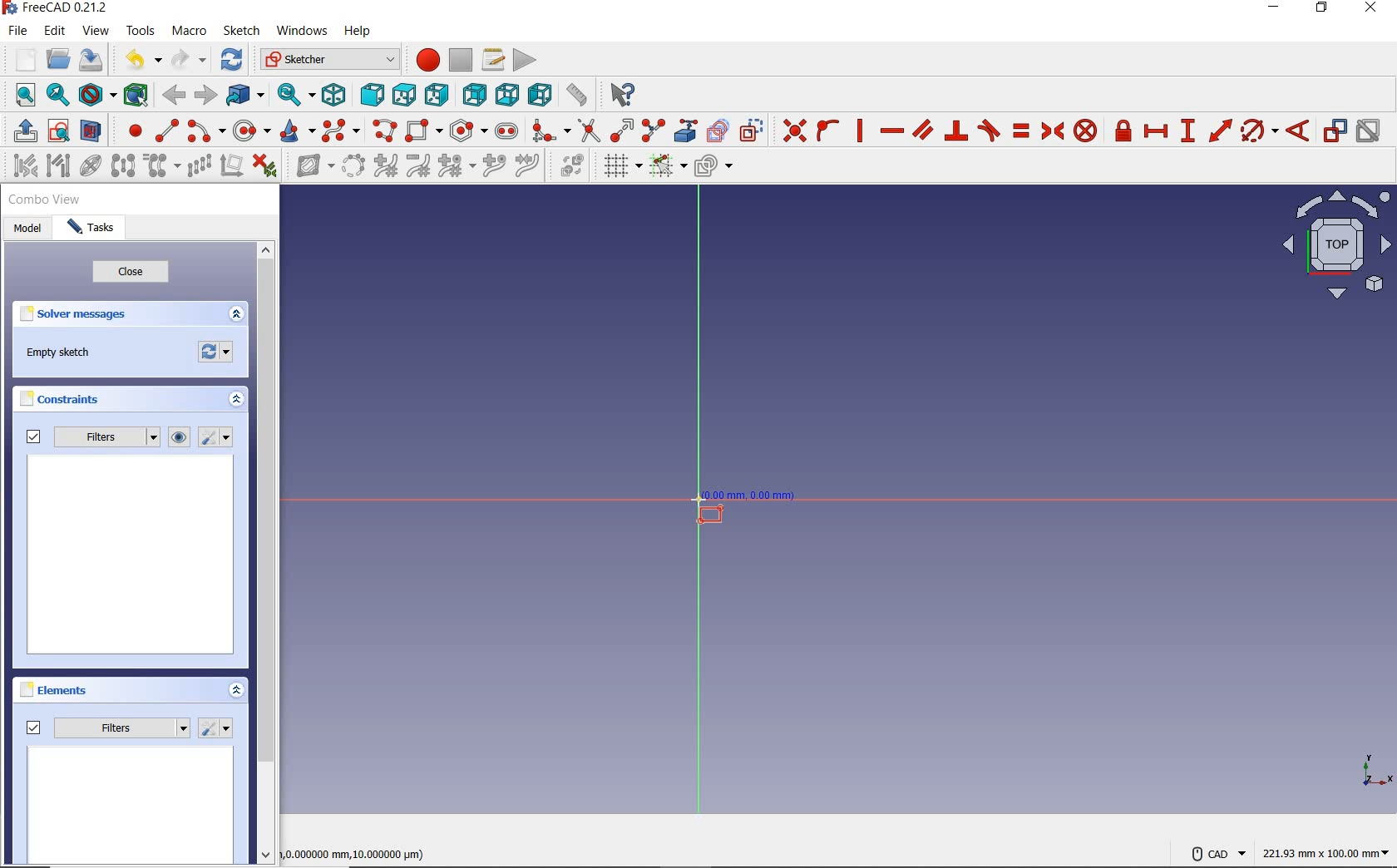  Describe the element at coordinates (96, 32) in the screenshot. I see `view` at that location.